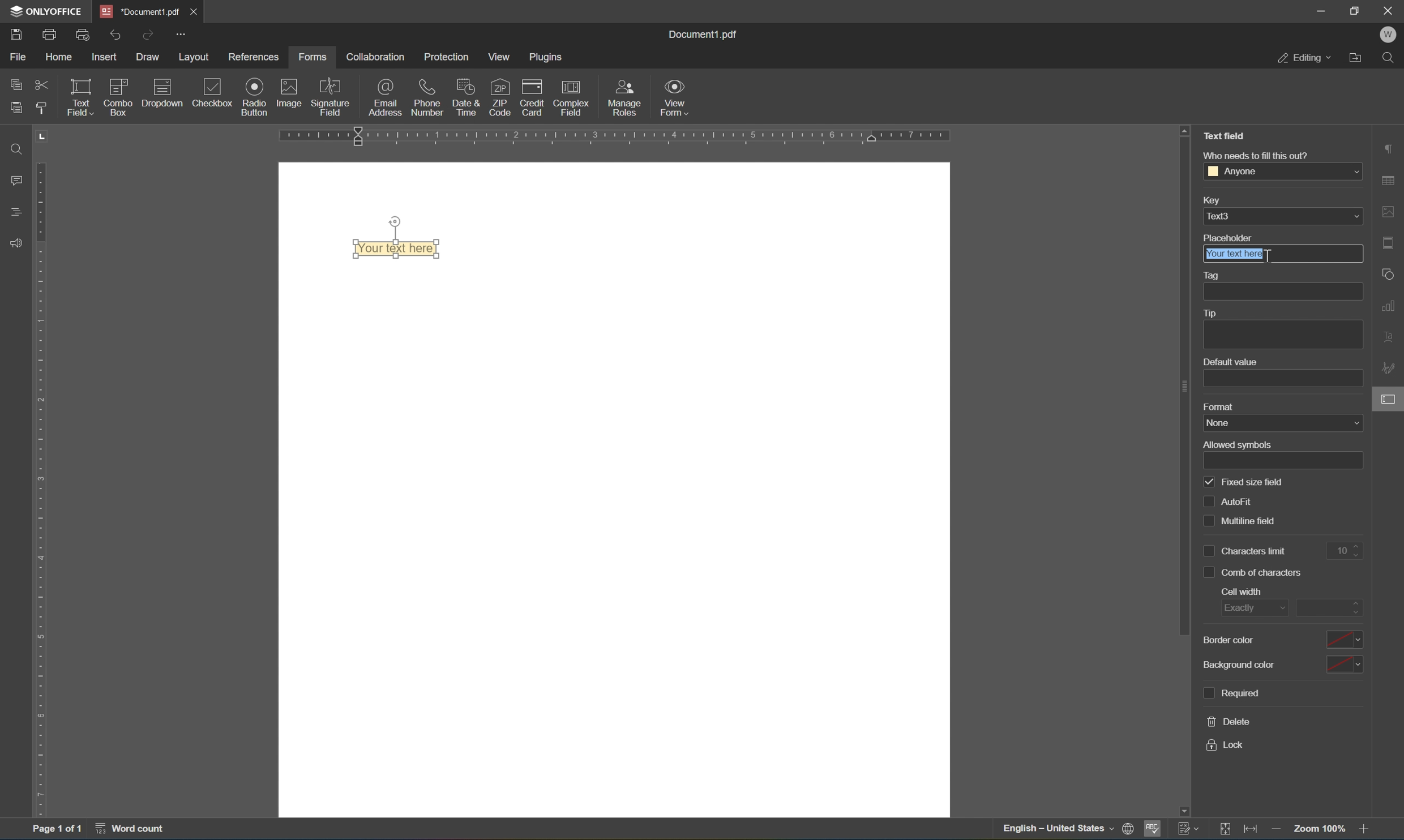 This screenshot has height=840, width=1404. What do you see at coordinates (1343, 550) in the screenshot?
I see `10` at bounding box center [1343, 550].